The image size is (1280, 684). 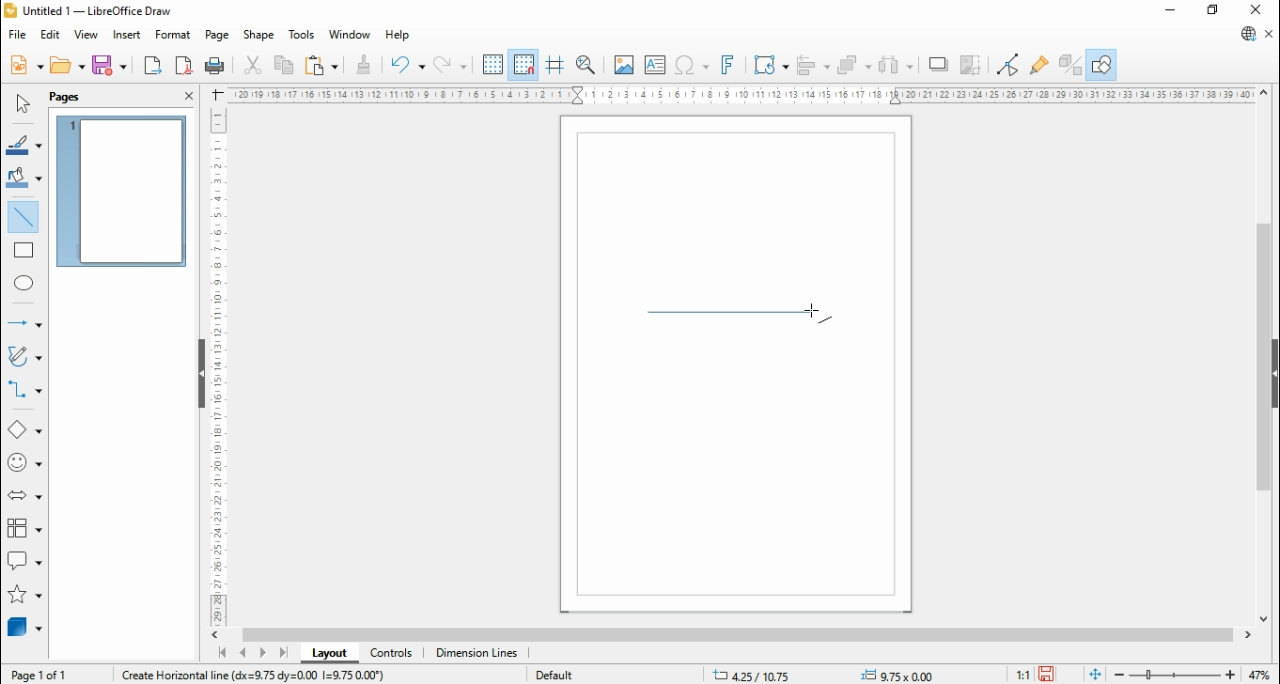 What do you see at coordinates (690, 65) in the screenshot?
I see `insert special character` at bounding box center [690, 65].